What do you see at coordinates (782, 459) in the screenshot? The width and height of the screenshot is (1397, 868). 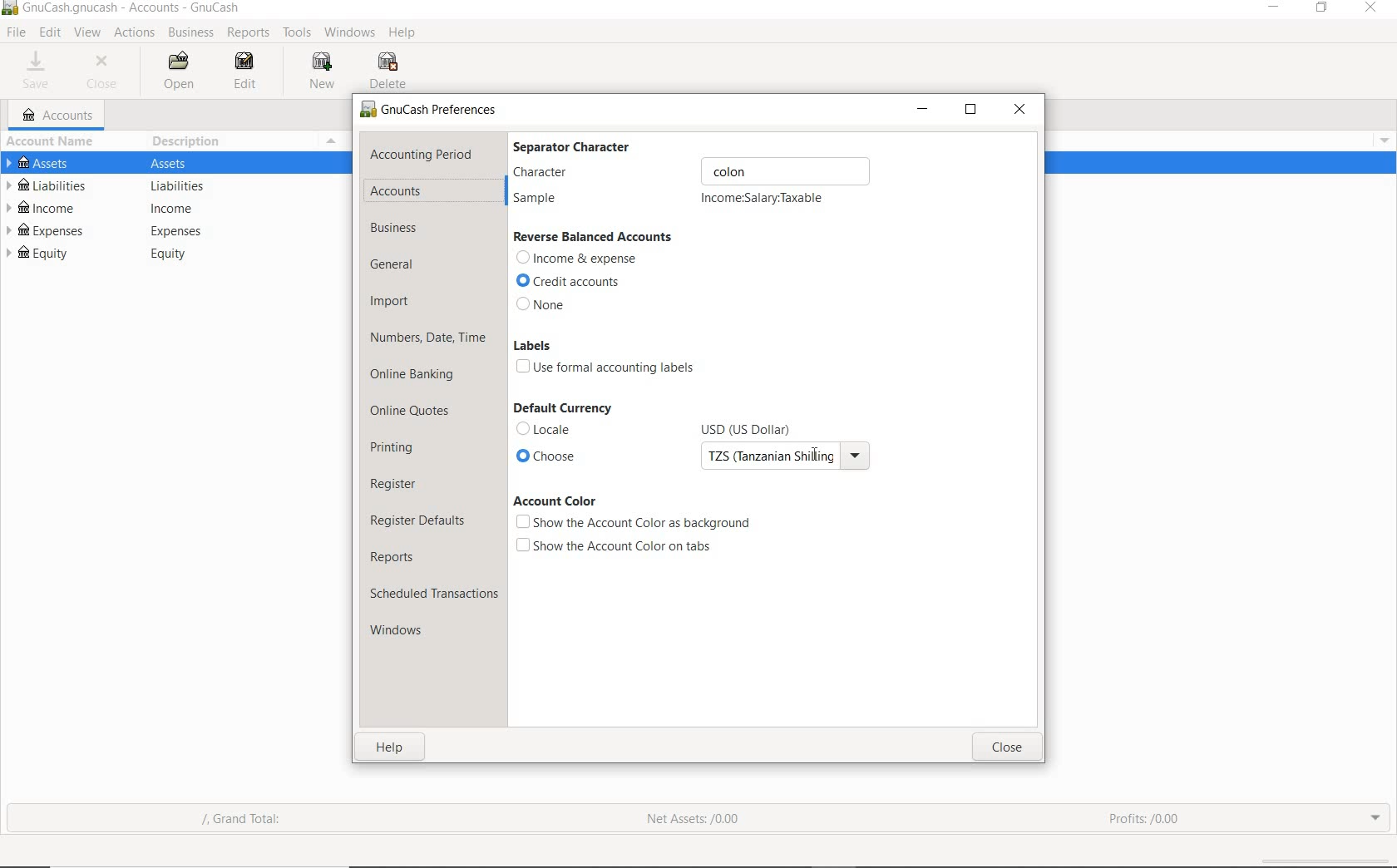 I see `` at bounding box center [782, 459].